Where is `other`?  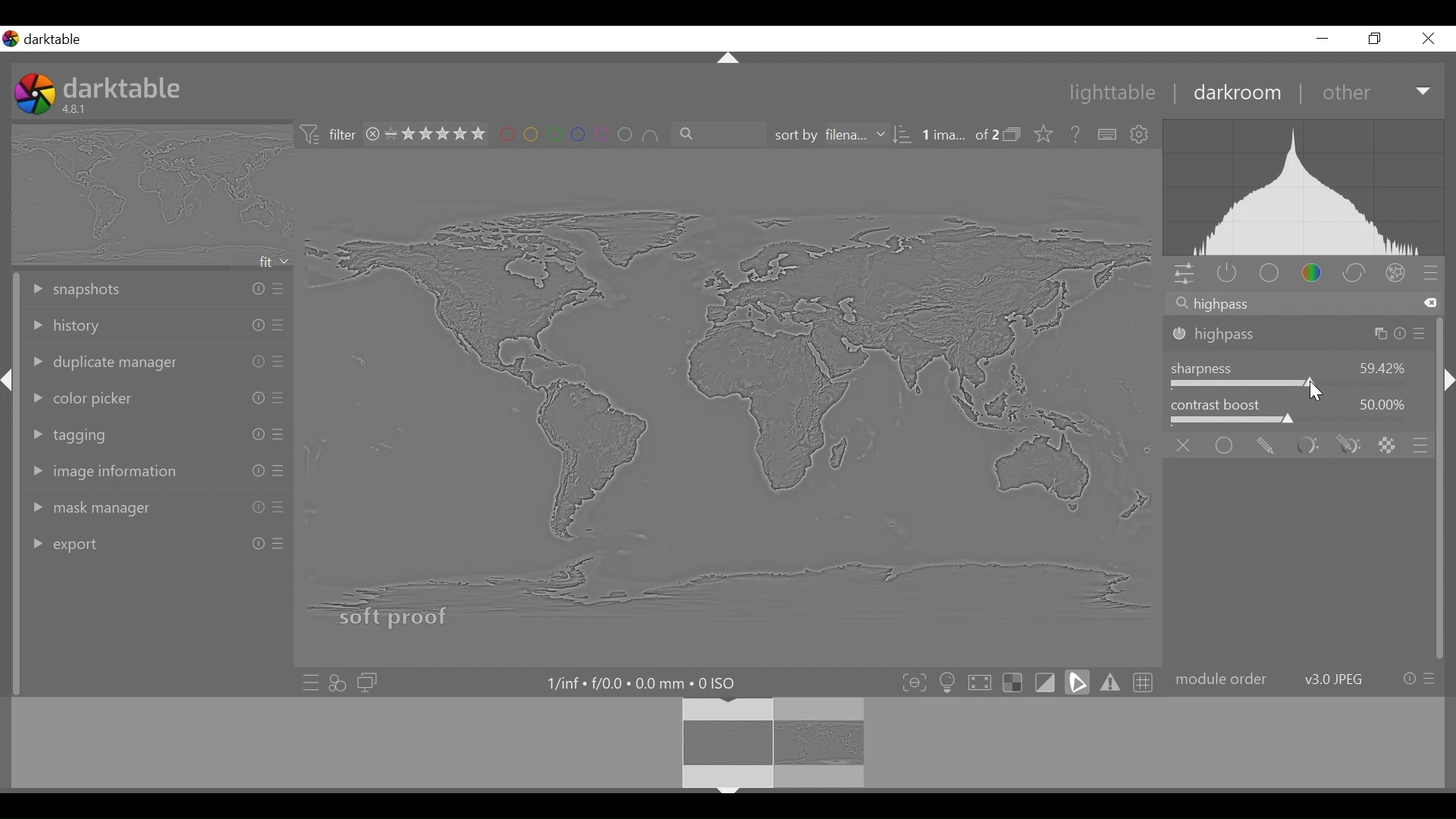 other is located at coordinates (1345, 93).